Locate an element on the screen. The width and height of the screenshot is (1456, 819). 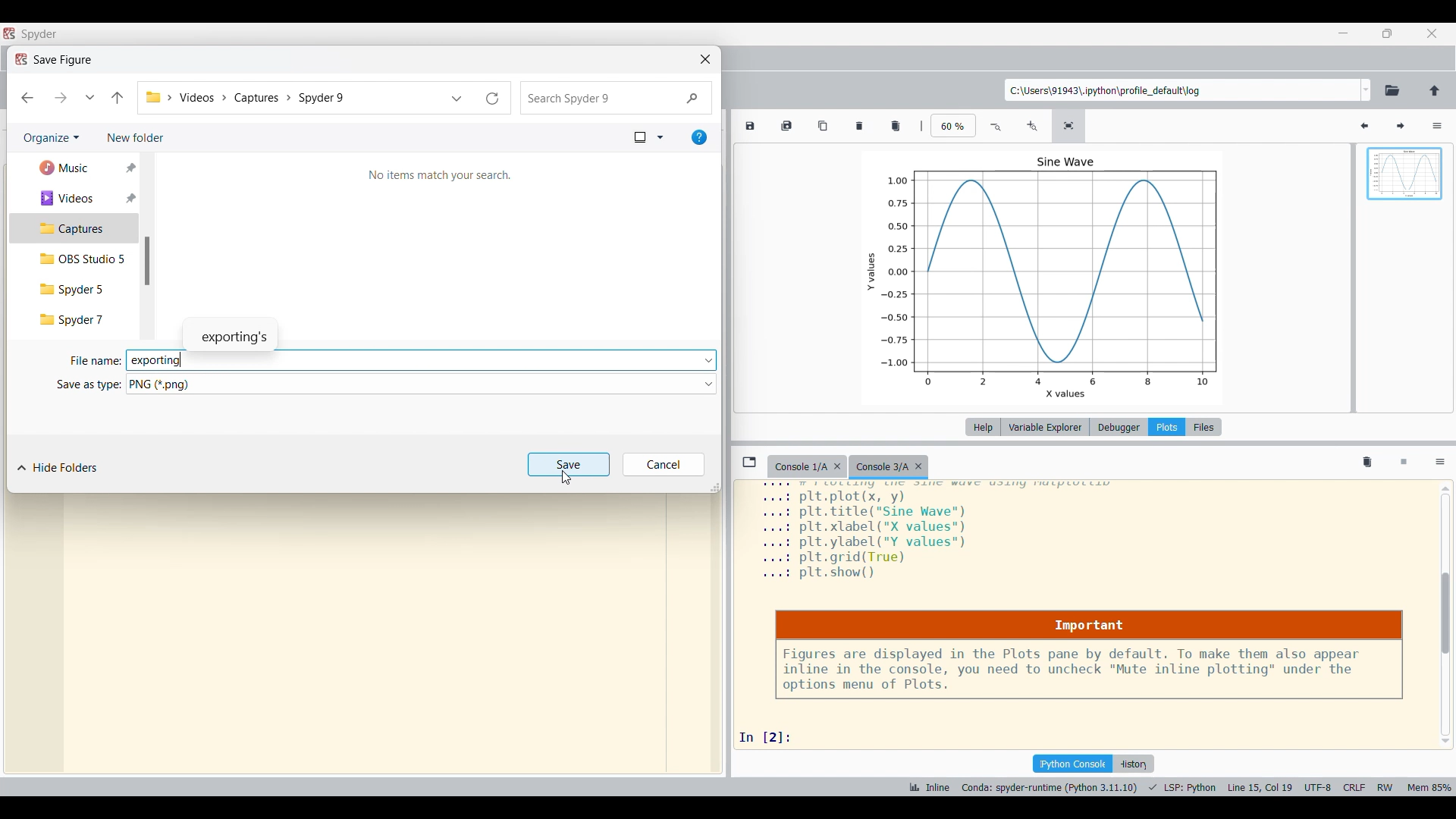
Save is located at coordinates (570, 464).